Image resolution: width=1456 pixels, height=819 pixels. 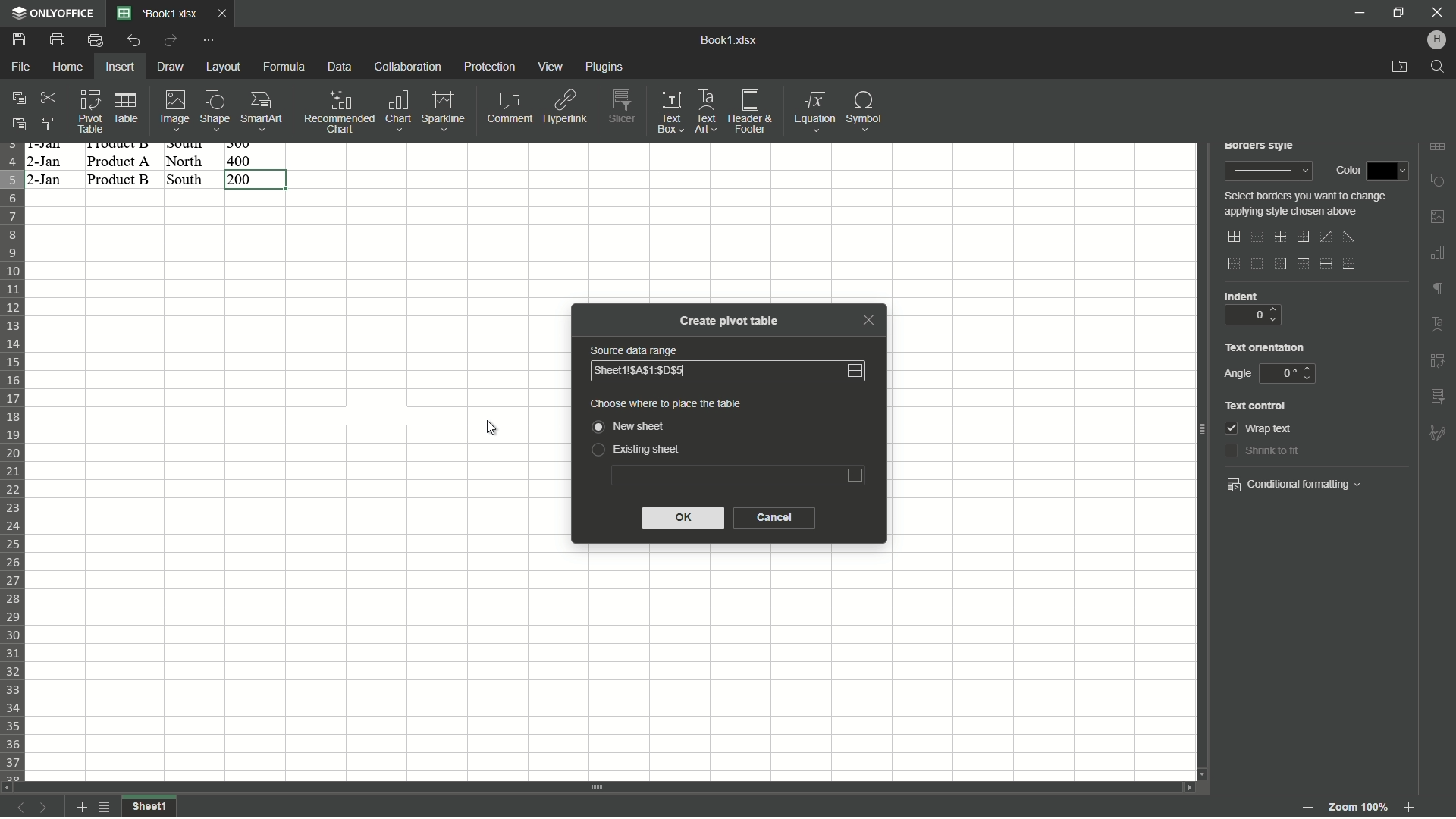 What do you see at coordinates (1349, 264) in the screenshot?
I see `bottom line` at bounding box center [1349, 264].